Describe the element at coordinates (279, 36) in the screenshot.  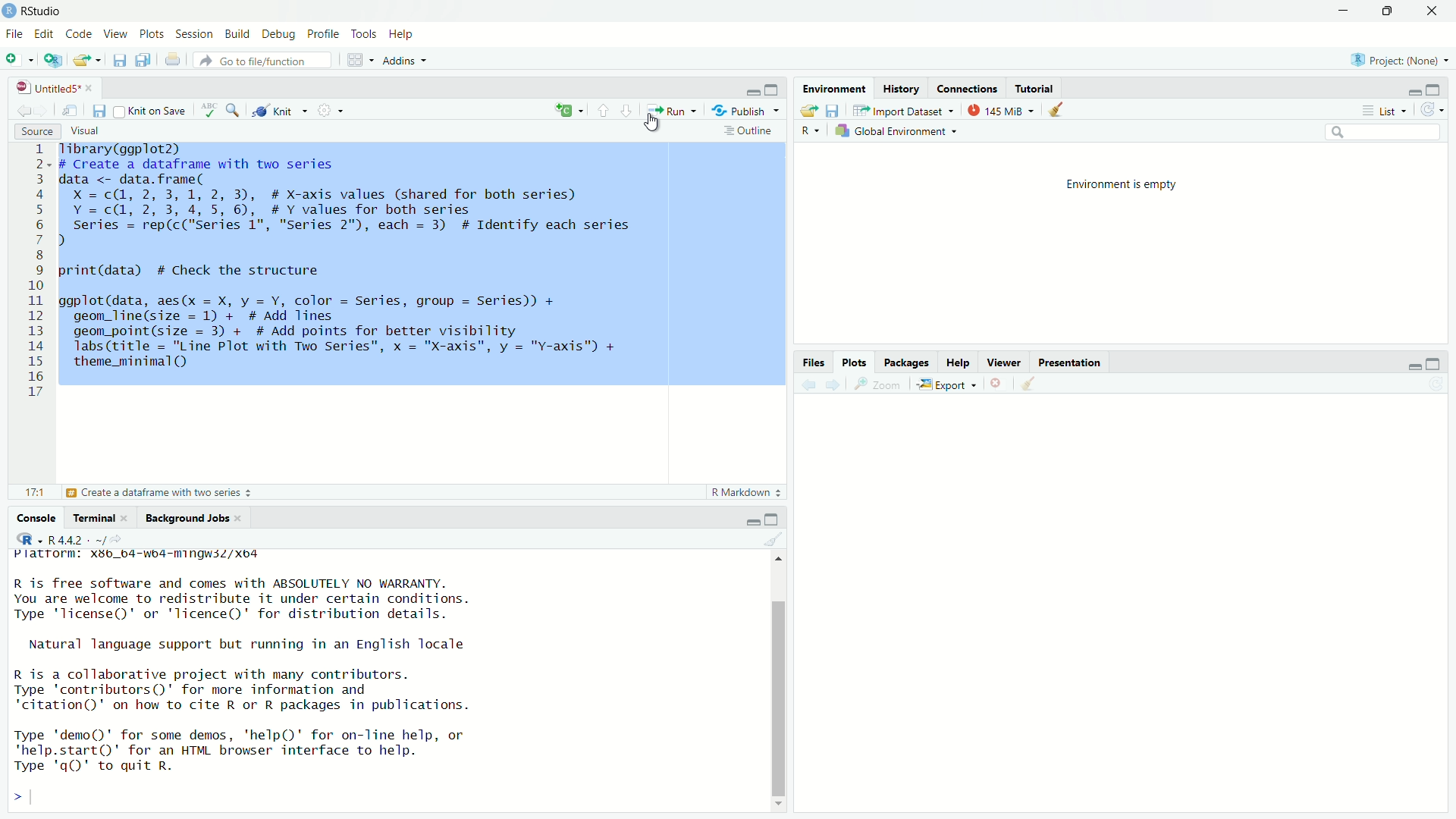
I see `Debug` at that location.